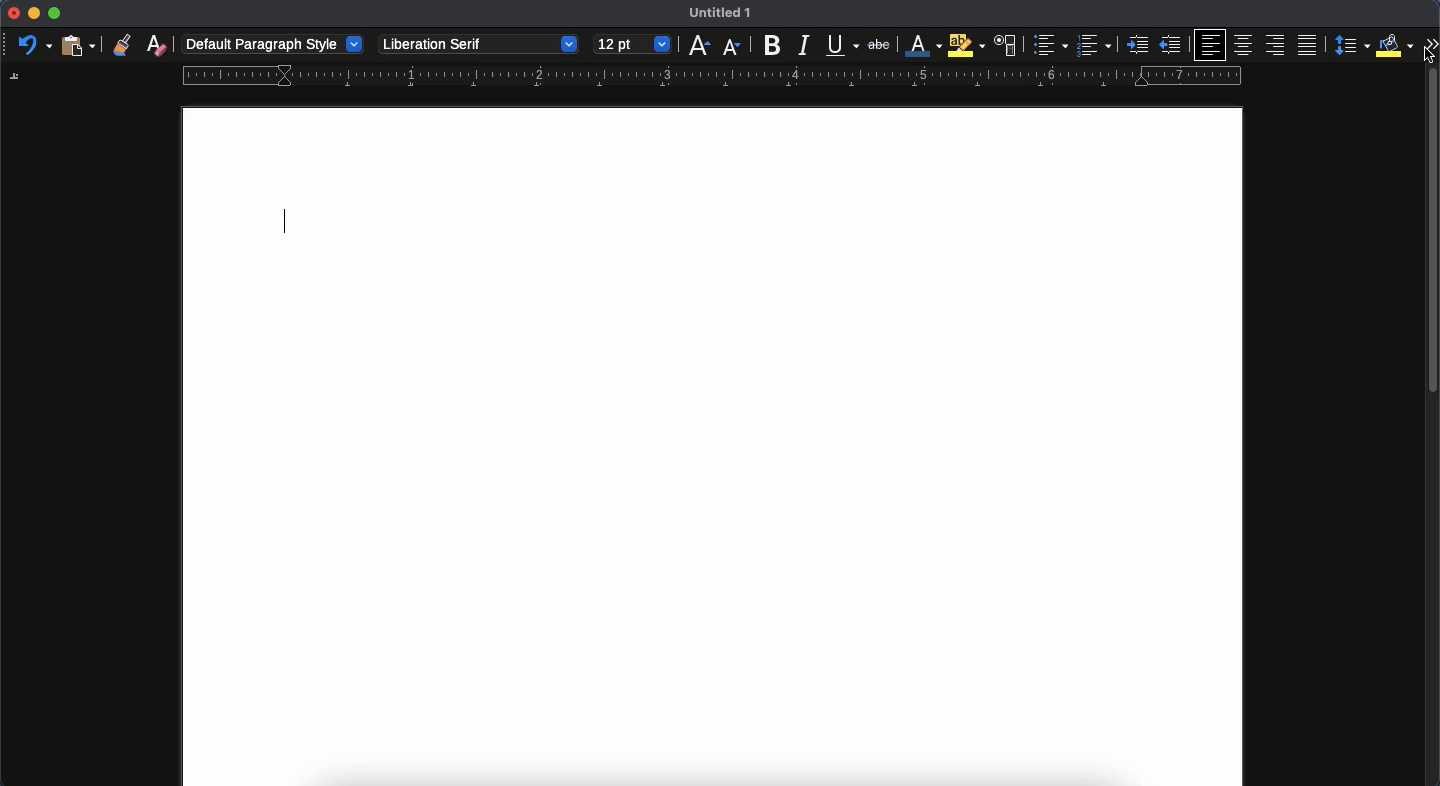 This screenshot has width=1440, height=786. I want to click on bold, so click(773, 46).